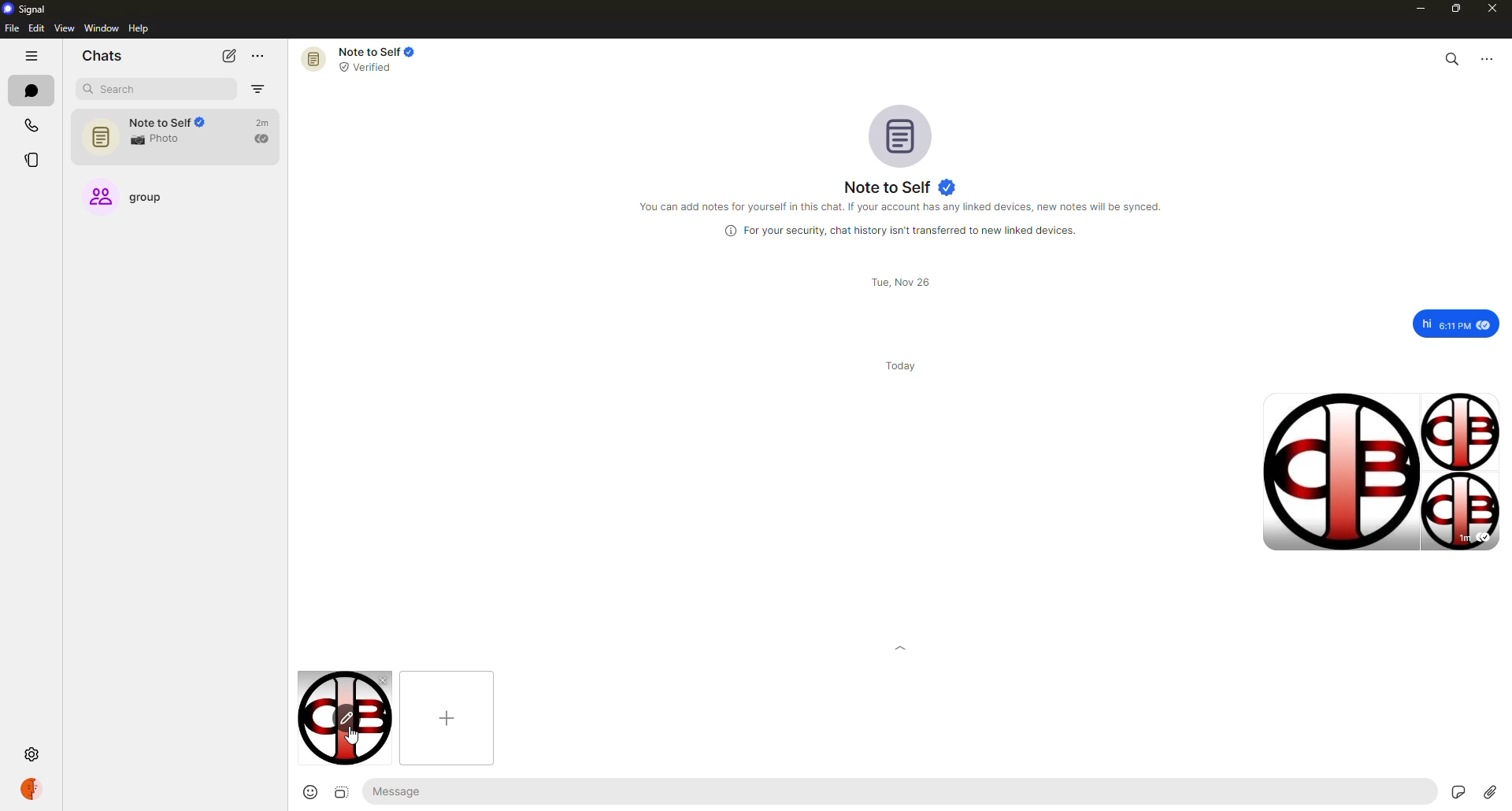  What do you see at coordinates (33, 787) in the screenshot?
I see `profile` at bounding box center [33, 787].